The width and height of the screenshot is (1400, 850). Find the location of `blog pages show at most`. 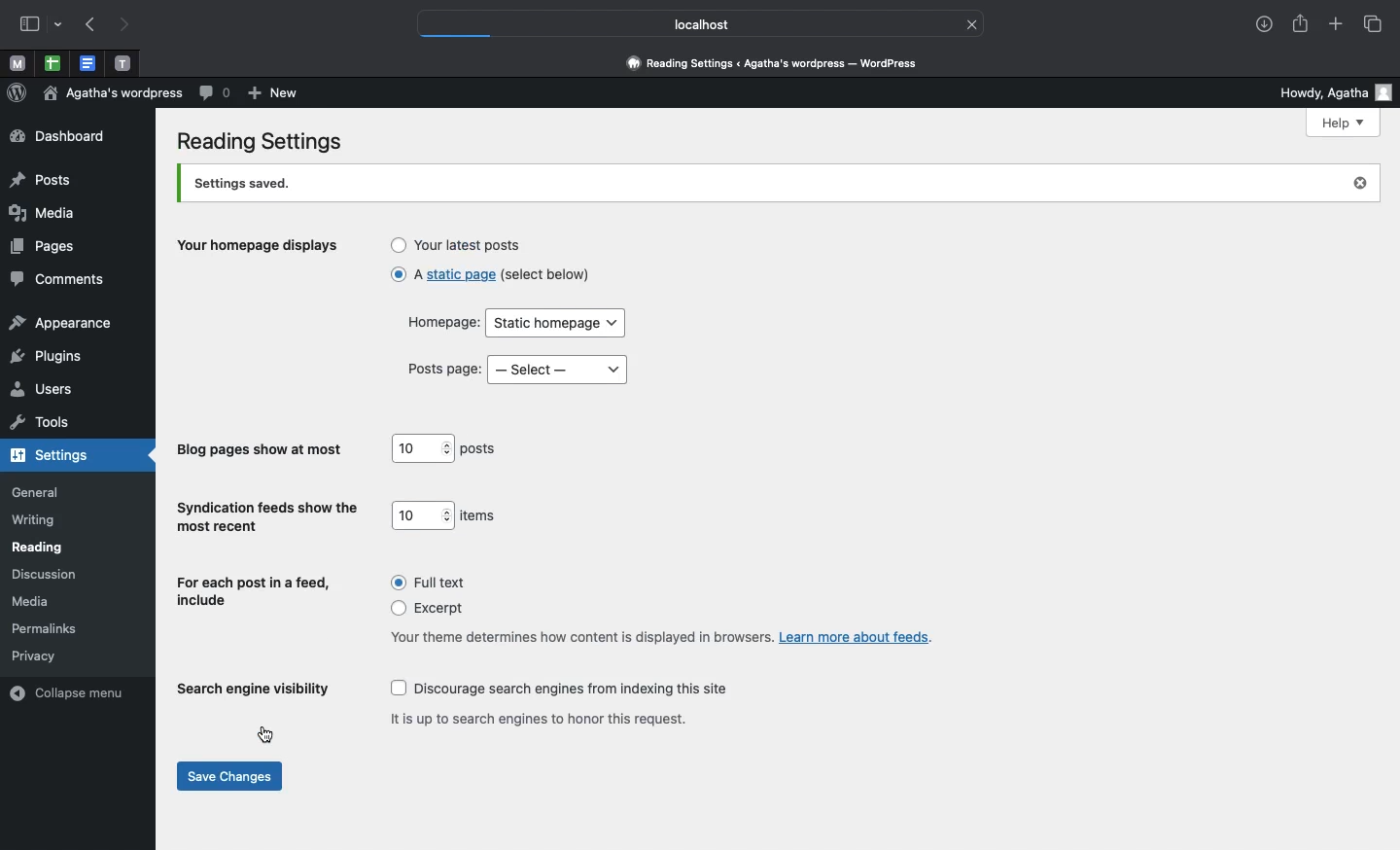

blog pages show at most is located at coordinates (259, 450).